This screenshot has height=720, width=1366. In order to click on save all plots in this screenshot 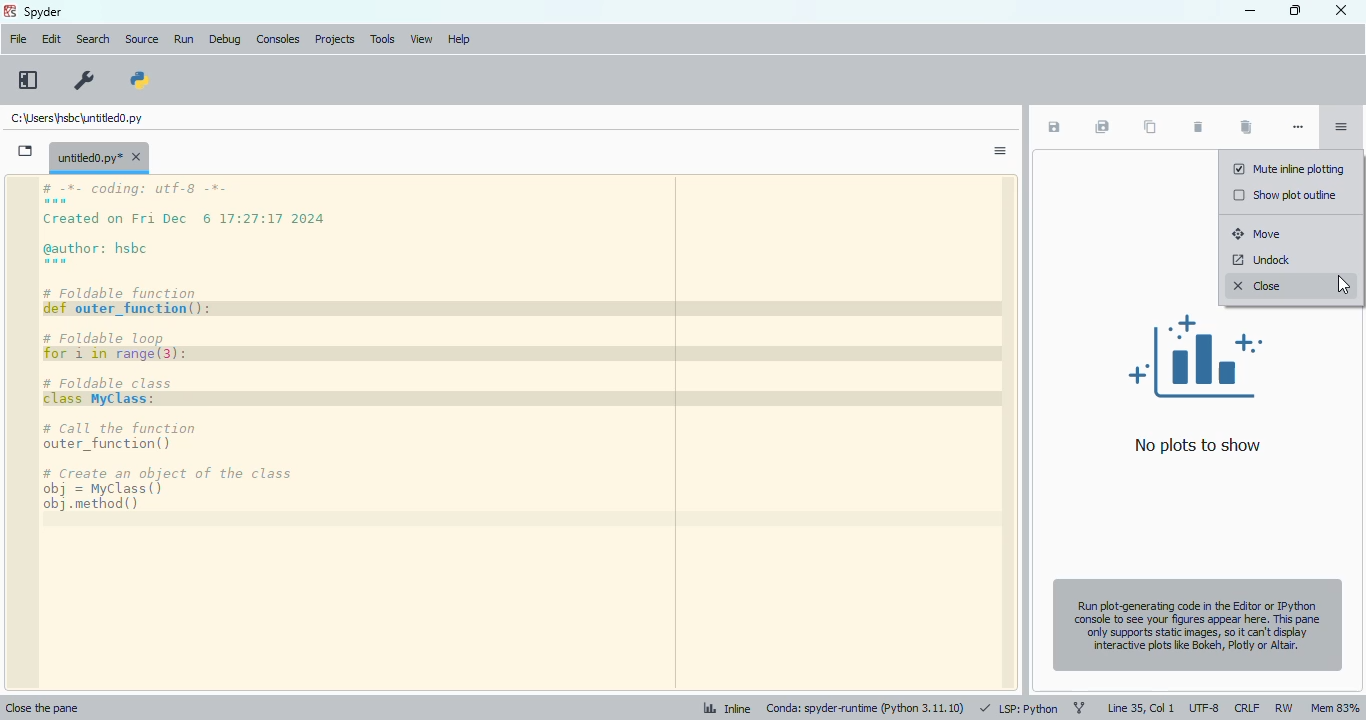, I will do `click(1102, 127)`.